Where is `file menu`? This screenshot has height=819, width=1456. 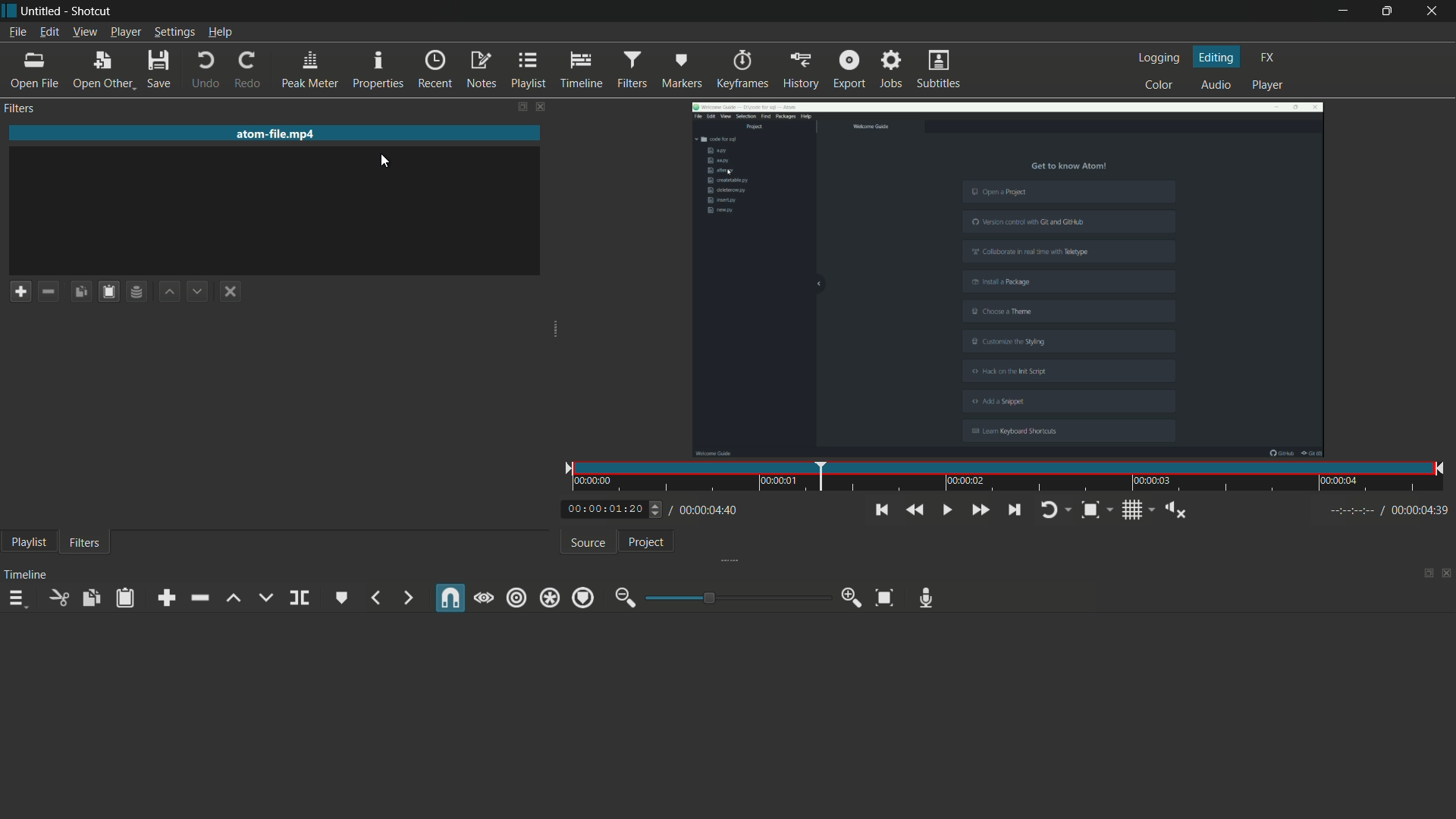
file menu is located at coordinates (17, 33).